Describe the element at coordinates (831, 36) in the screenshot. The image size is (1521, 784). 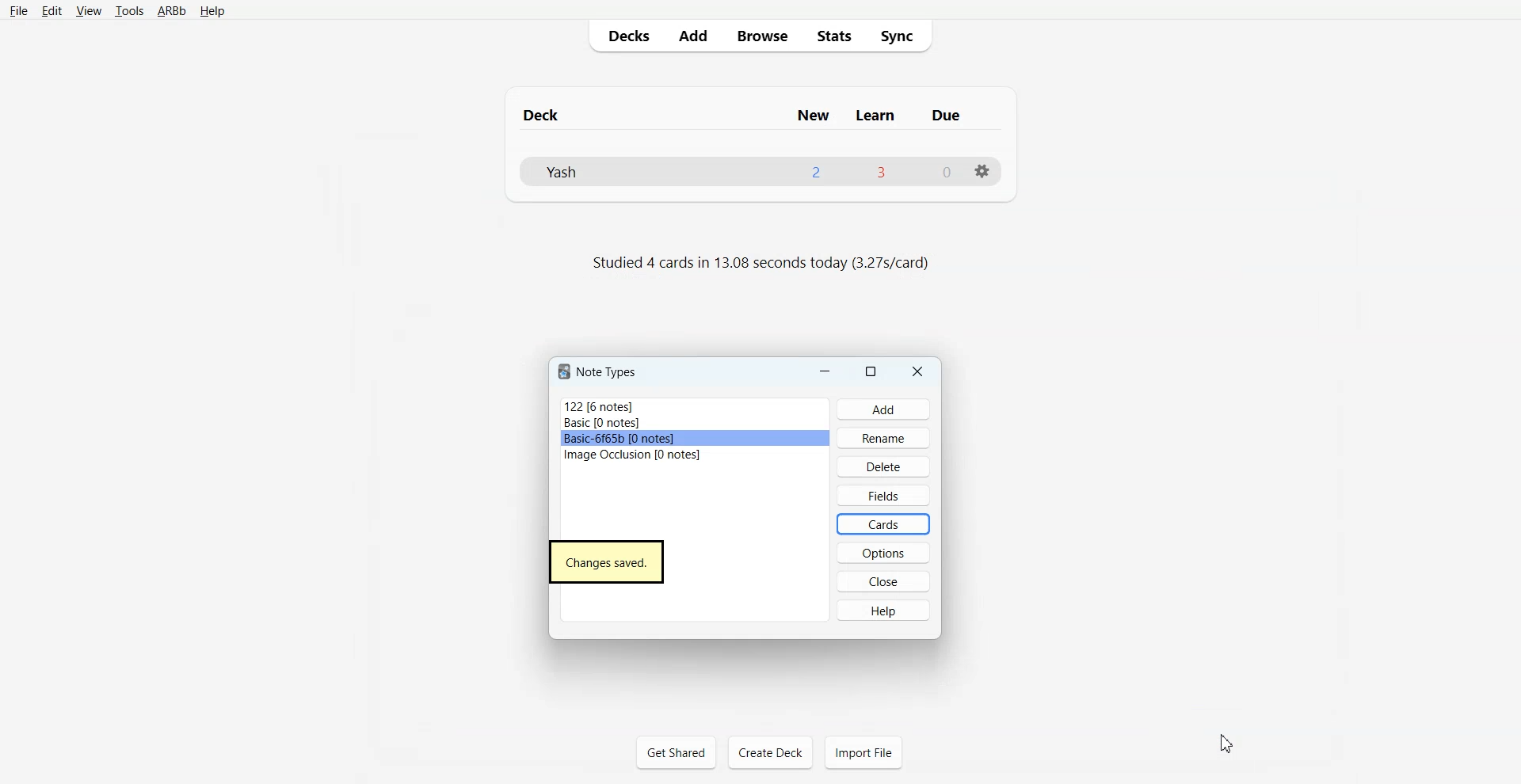
I see `Stats` at that location.